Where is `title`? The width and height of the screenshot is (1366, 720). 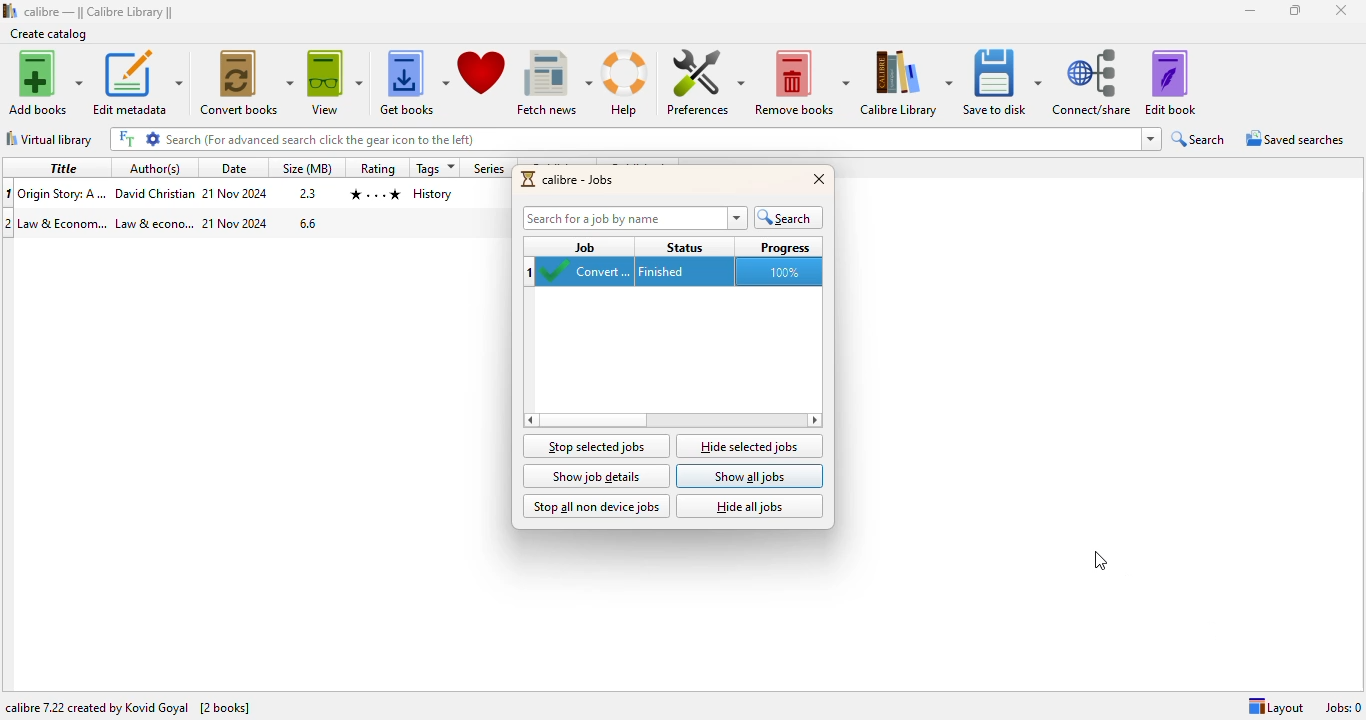
title is located at coordinates (65, 167).